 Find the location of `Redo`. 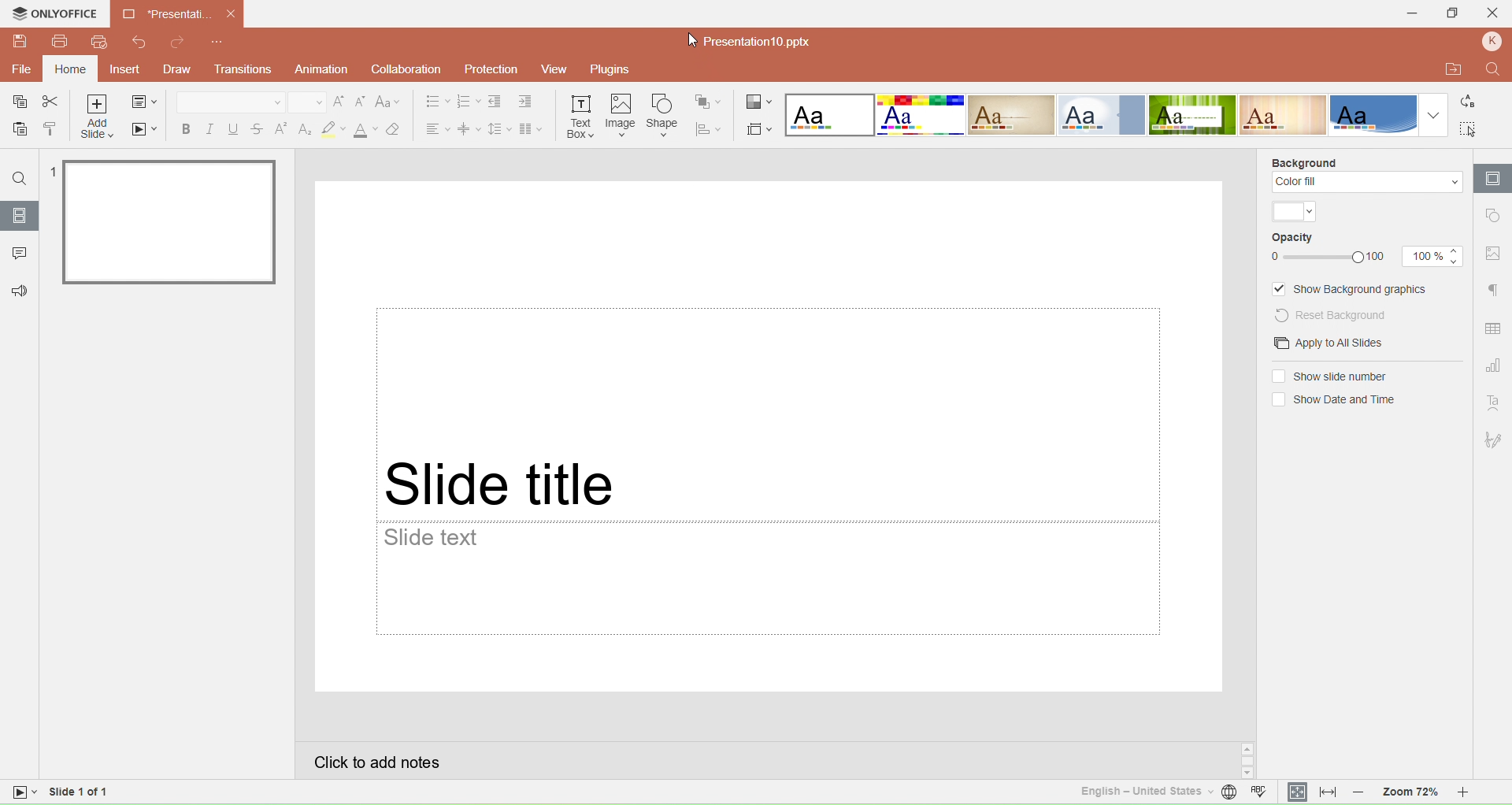

Redo is located at coordinates (178, 43).